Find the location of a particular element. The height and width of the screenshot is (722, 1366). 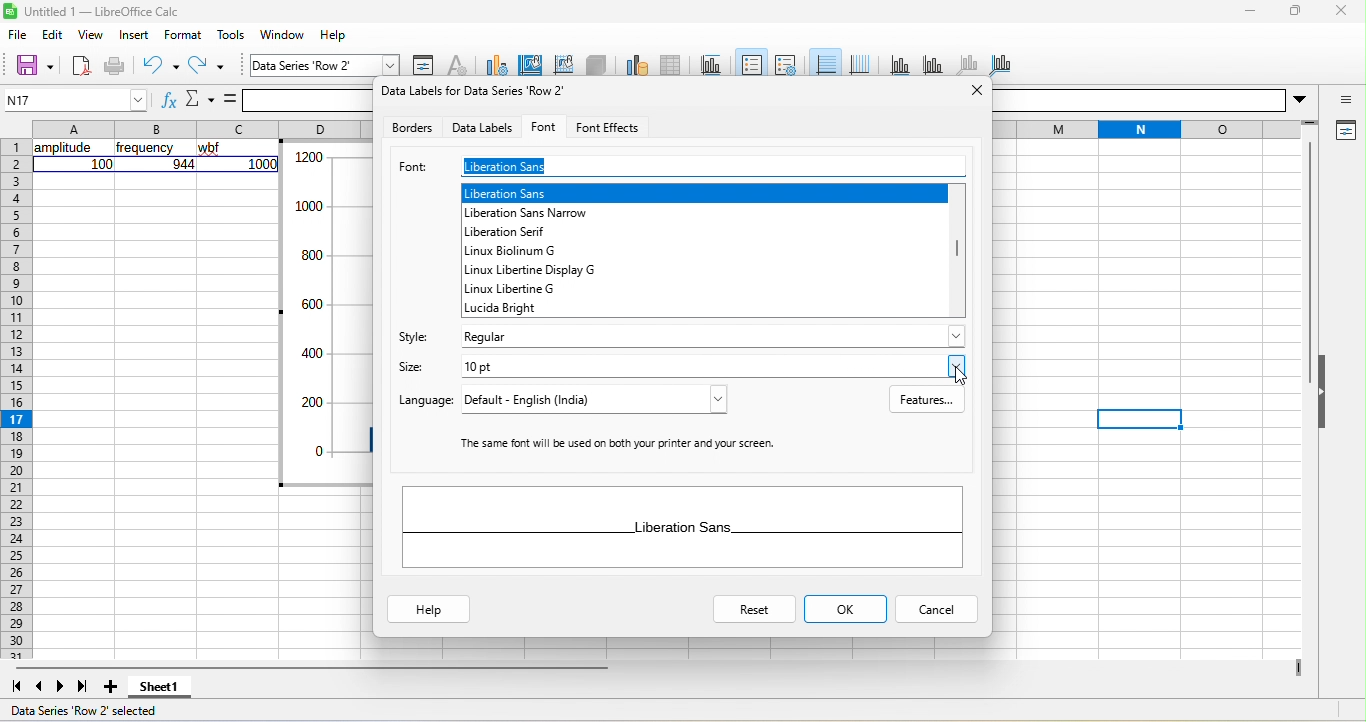

10 pt is located at coordinates (713, 366).